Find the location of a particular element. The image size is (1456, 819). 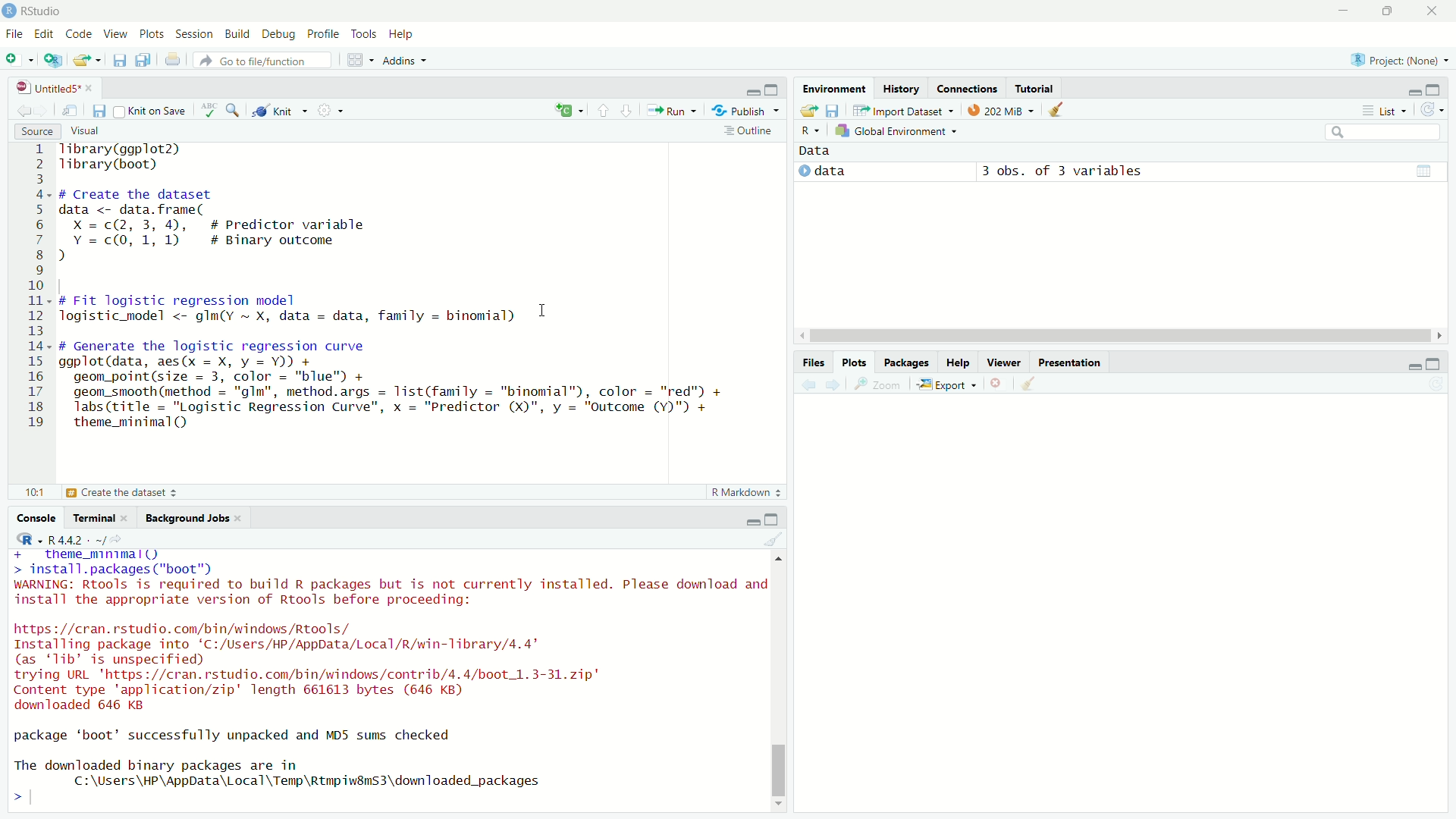

Export is located at coordinates (947, 384).